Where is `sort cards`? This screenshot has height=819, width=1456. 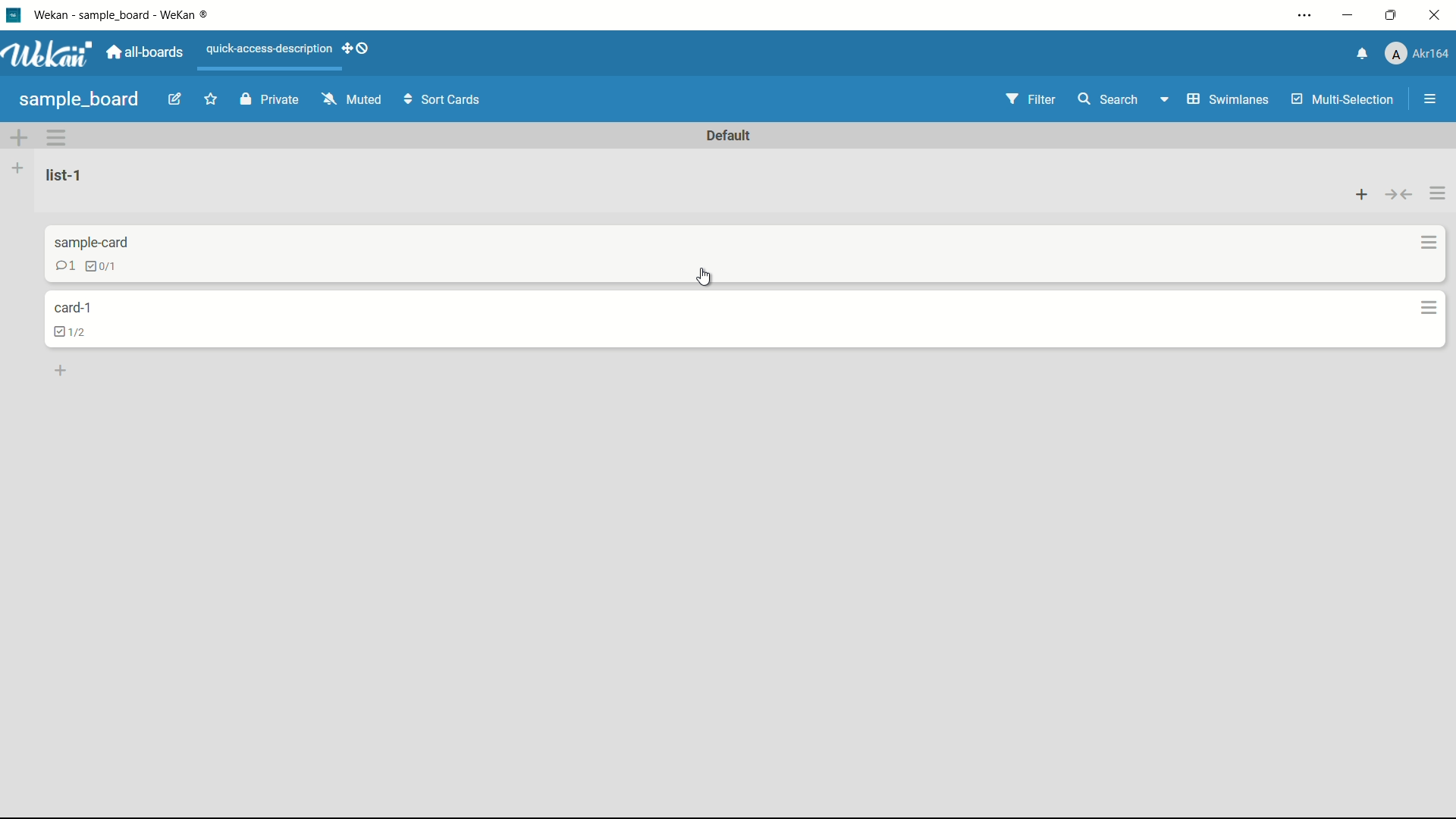
sort cards is located at coordinates (444, 99).